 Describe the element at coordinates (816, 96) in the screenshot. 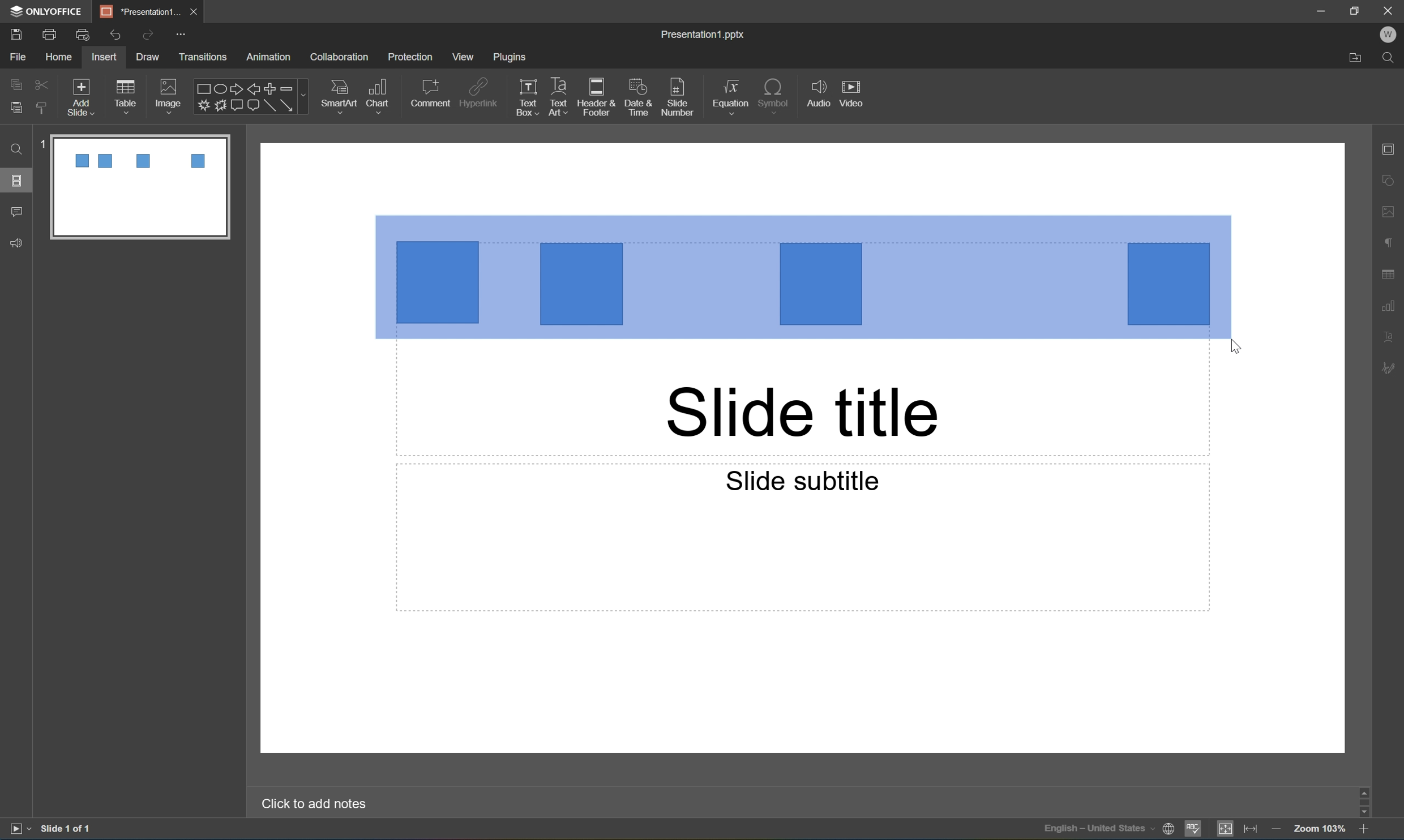

I see `audio` at that location.